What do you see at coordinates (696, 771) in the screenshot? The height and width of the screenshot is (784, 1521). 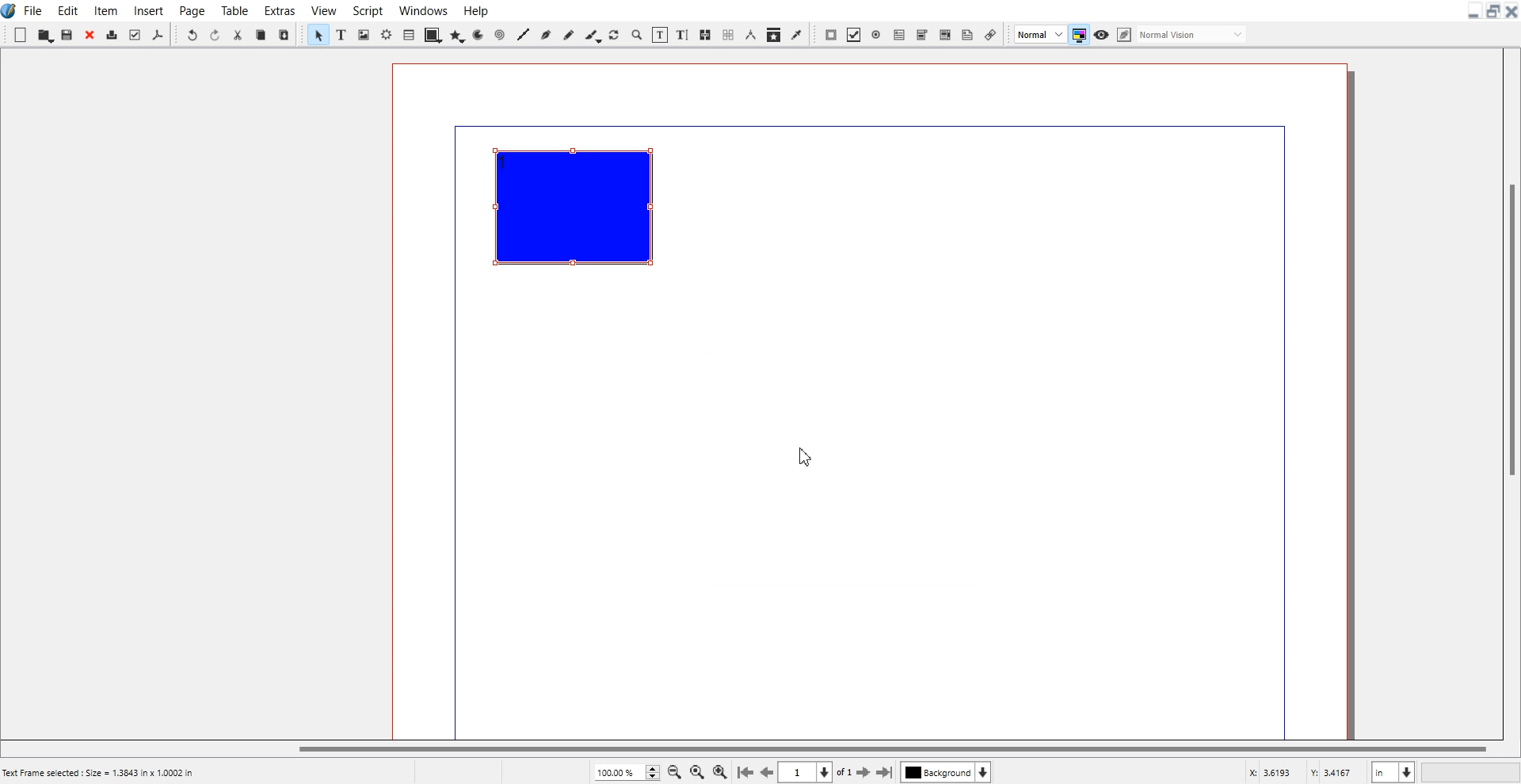 I see `Zoom to 100%` at bounding box center [696, 771].